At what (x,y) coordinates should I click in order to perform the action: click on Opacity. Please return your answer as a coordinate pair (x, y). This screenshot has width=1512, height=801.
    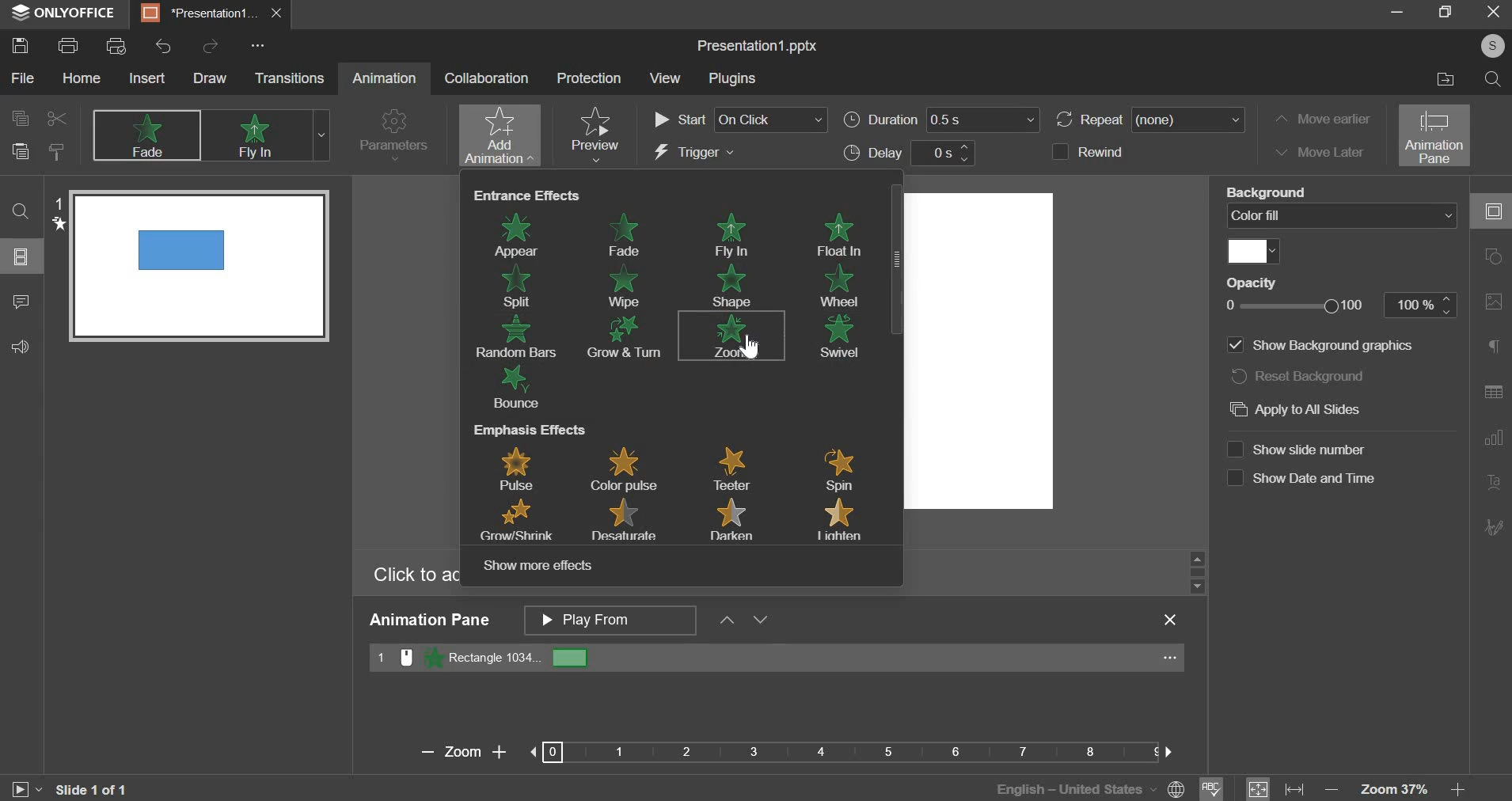
    Looking at the image, I should click on (1258, 282).